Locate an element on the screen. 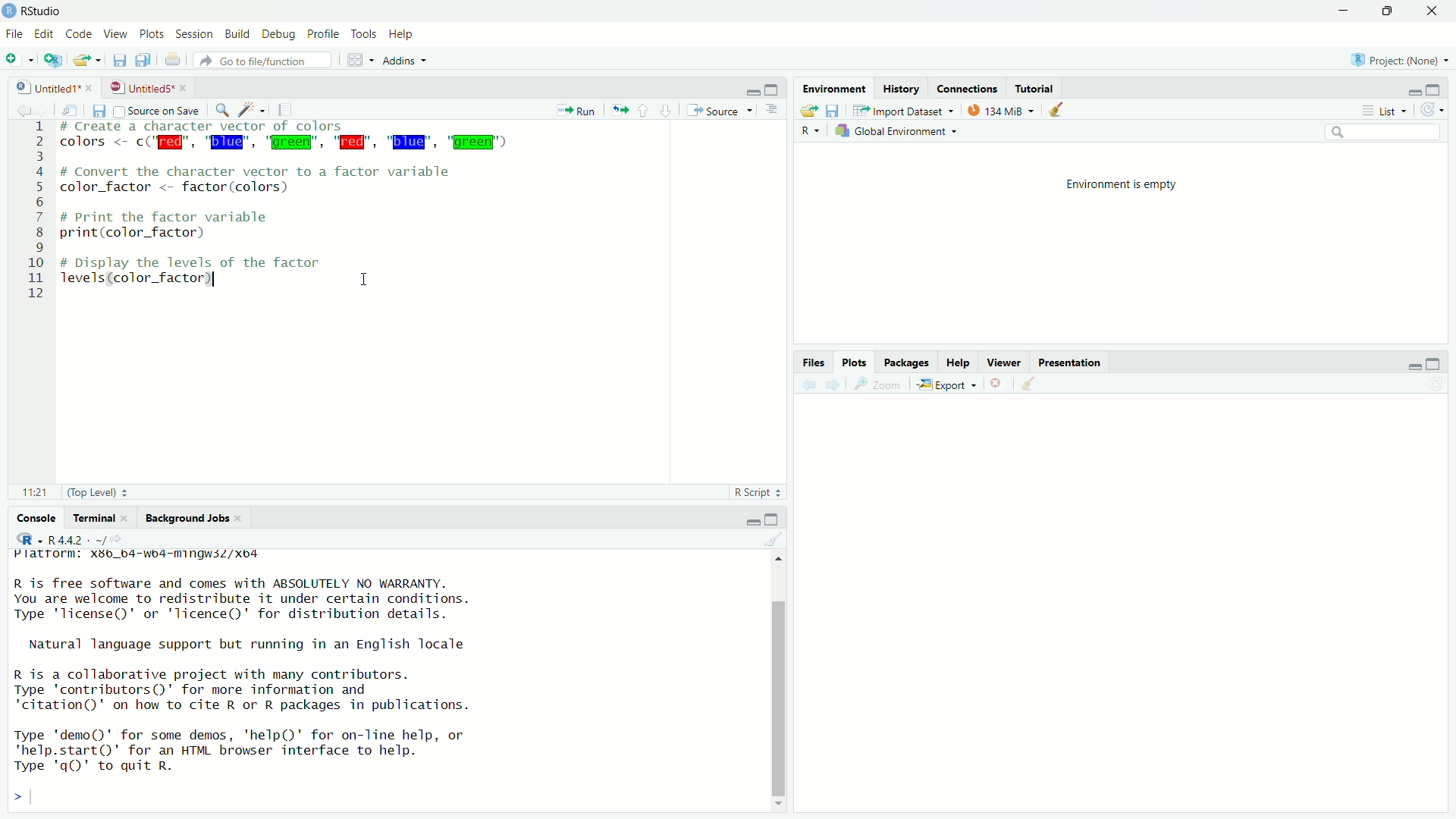 Image resolution: width=1456 pixels, height=819 pixels. go to previous section/chunk is located at coordinates (645, 111).